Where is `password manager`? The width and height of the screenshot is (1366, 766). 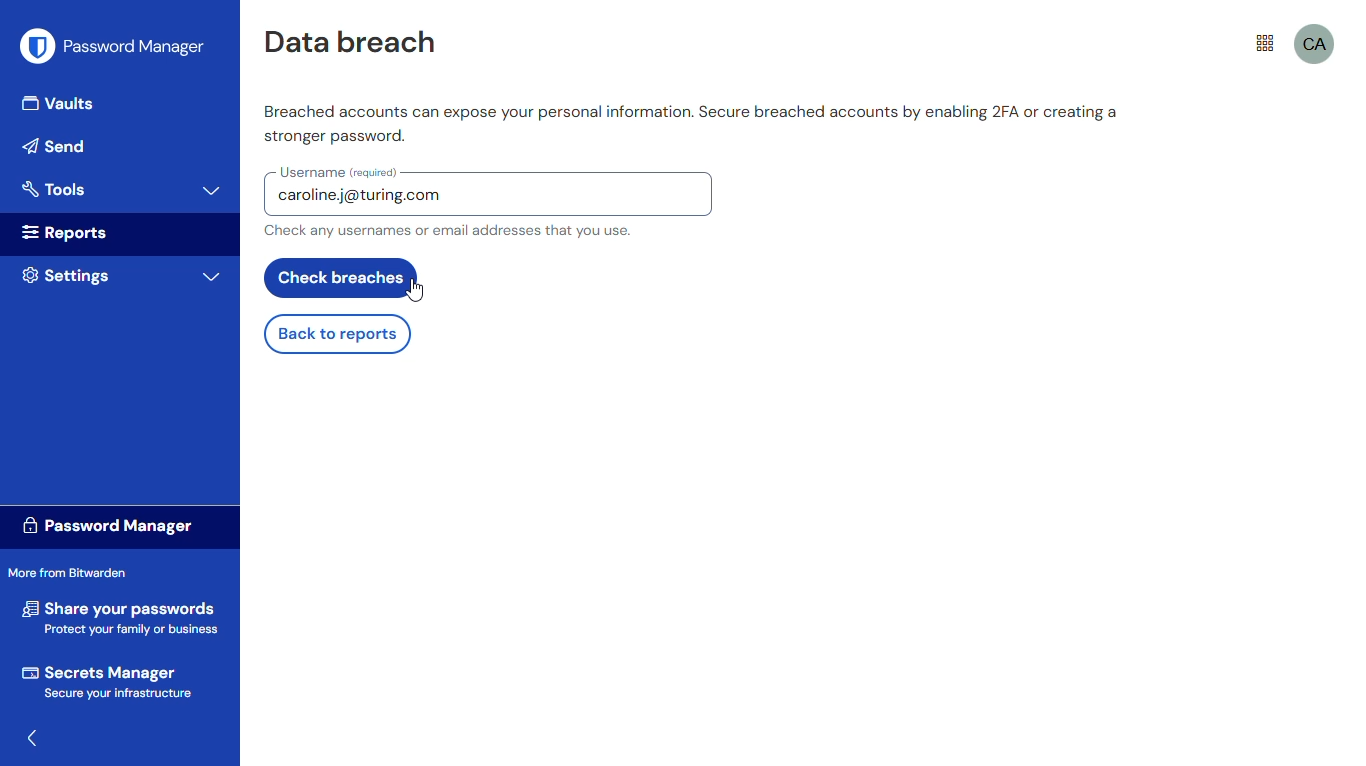 password manager is located at coordinates (135, 46).